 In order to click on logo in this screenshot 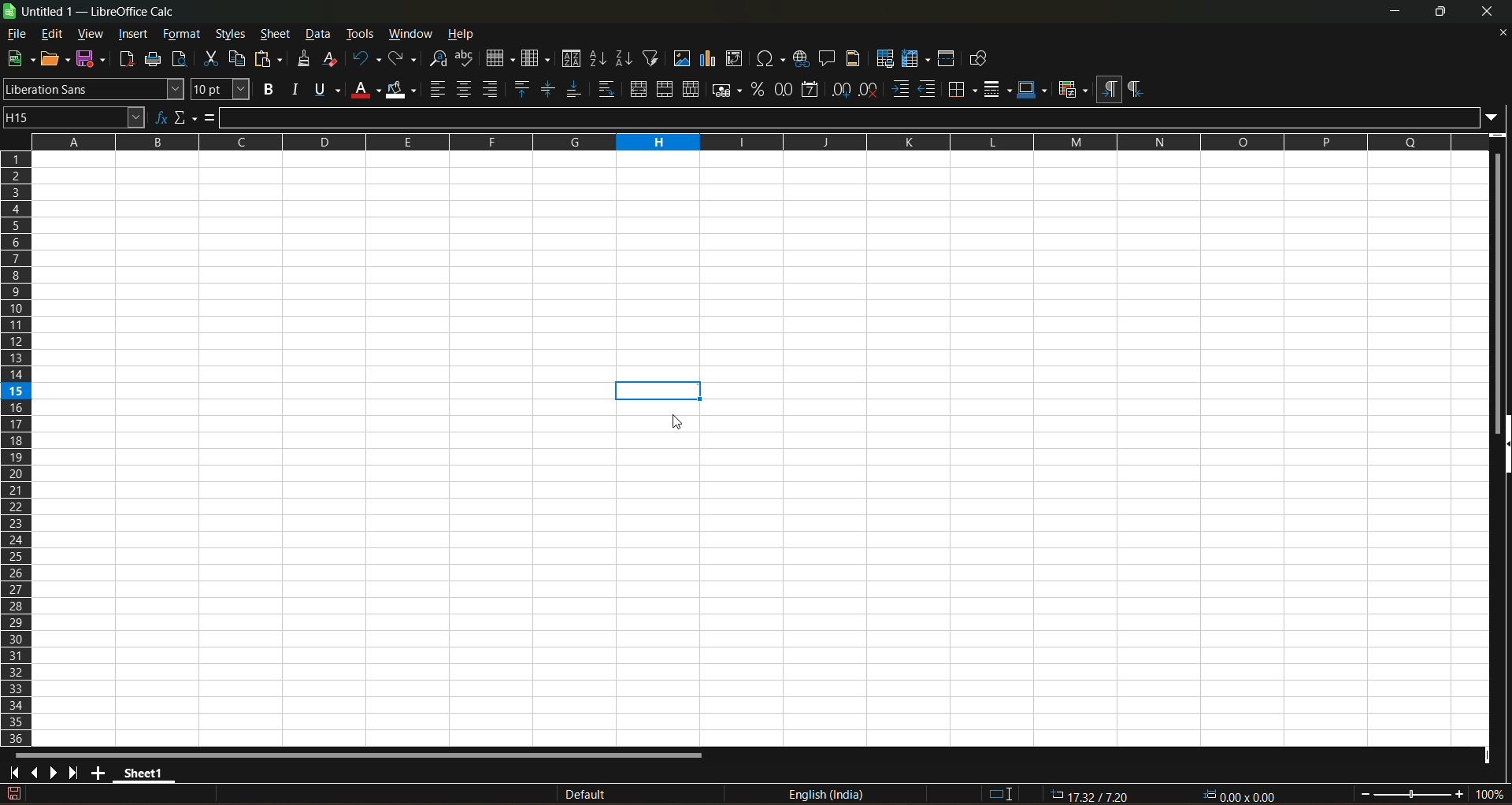, I will do `click(11, 11)`.